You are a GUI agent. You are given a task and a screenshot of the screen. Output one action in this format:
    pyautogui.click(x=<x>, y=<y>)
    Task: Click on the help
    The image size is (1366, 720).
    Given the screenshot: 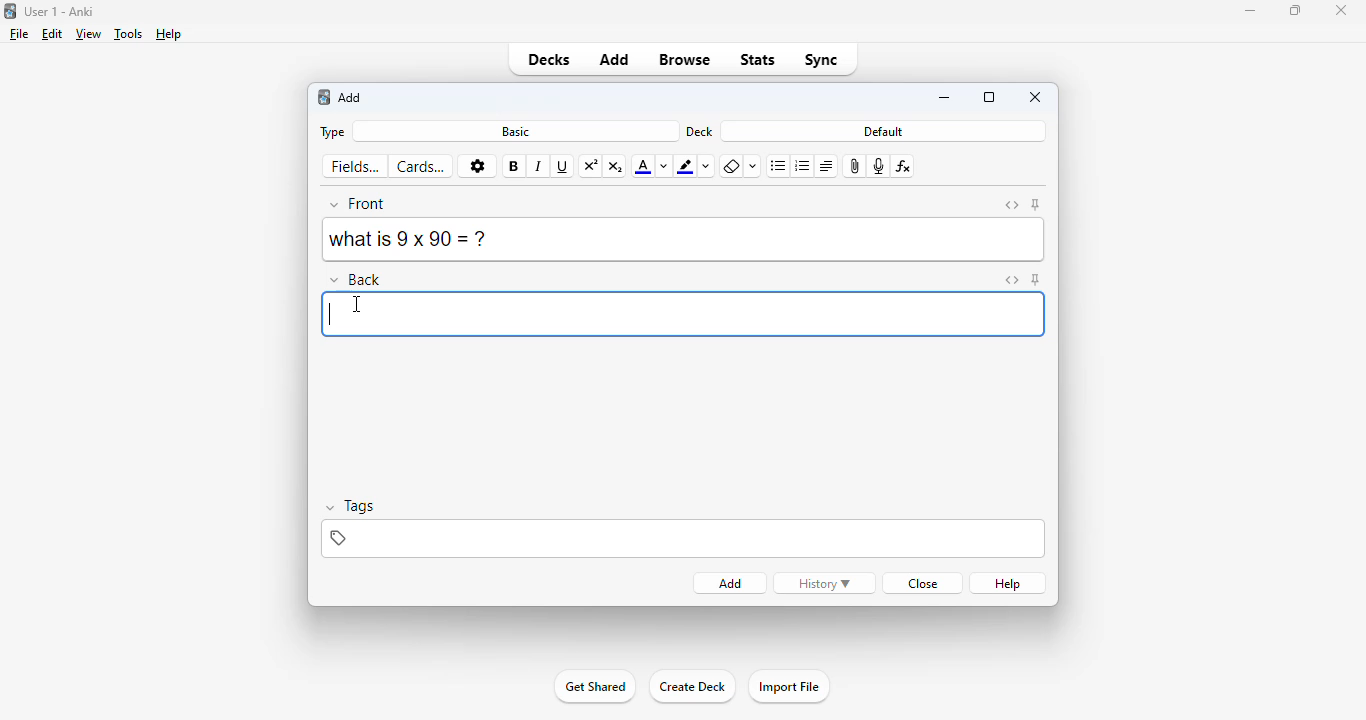 What is the action you would take?
    pyautogui.click(x=1009, y=583)
    